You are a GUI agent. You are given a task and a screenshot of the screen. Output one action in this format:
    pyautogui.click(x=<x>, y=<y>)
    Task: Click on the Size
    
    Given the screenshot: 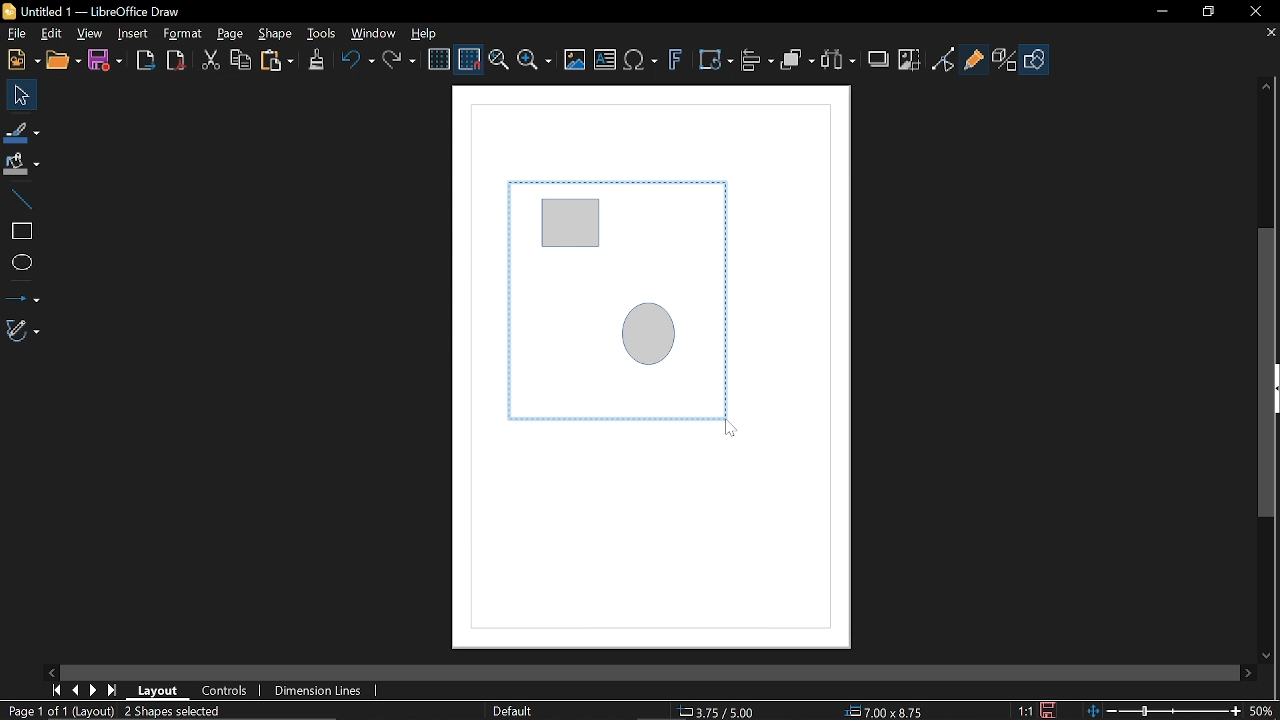 What is the action you would take?
    pyautogui.click(x=891, y=712)
    